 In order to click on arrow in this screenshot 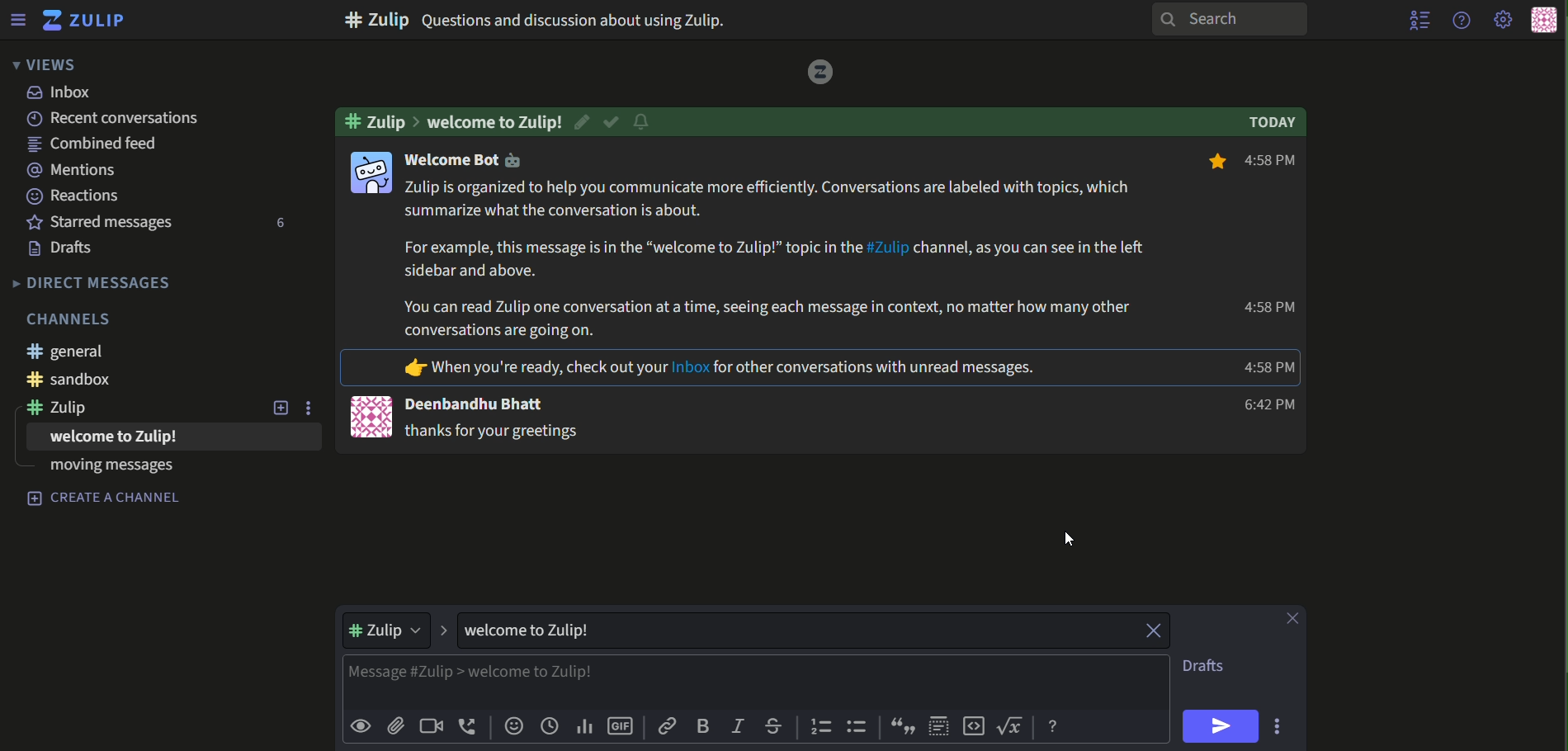, I will do `click(445, 631)`.